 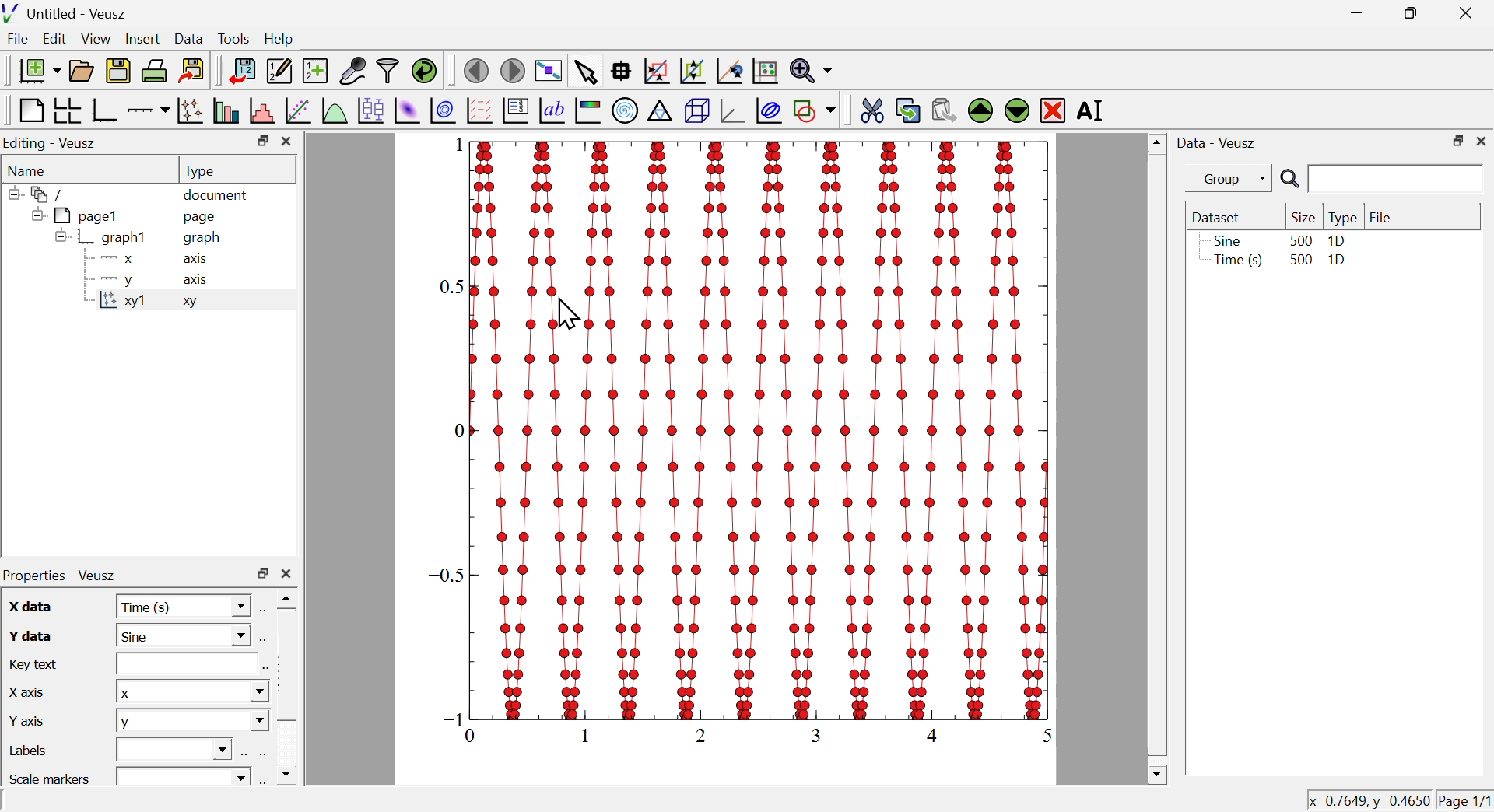 What do you see at coordinates (820, 734) in the screenshot?
I see `3` at bounding box center [820, 734].